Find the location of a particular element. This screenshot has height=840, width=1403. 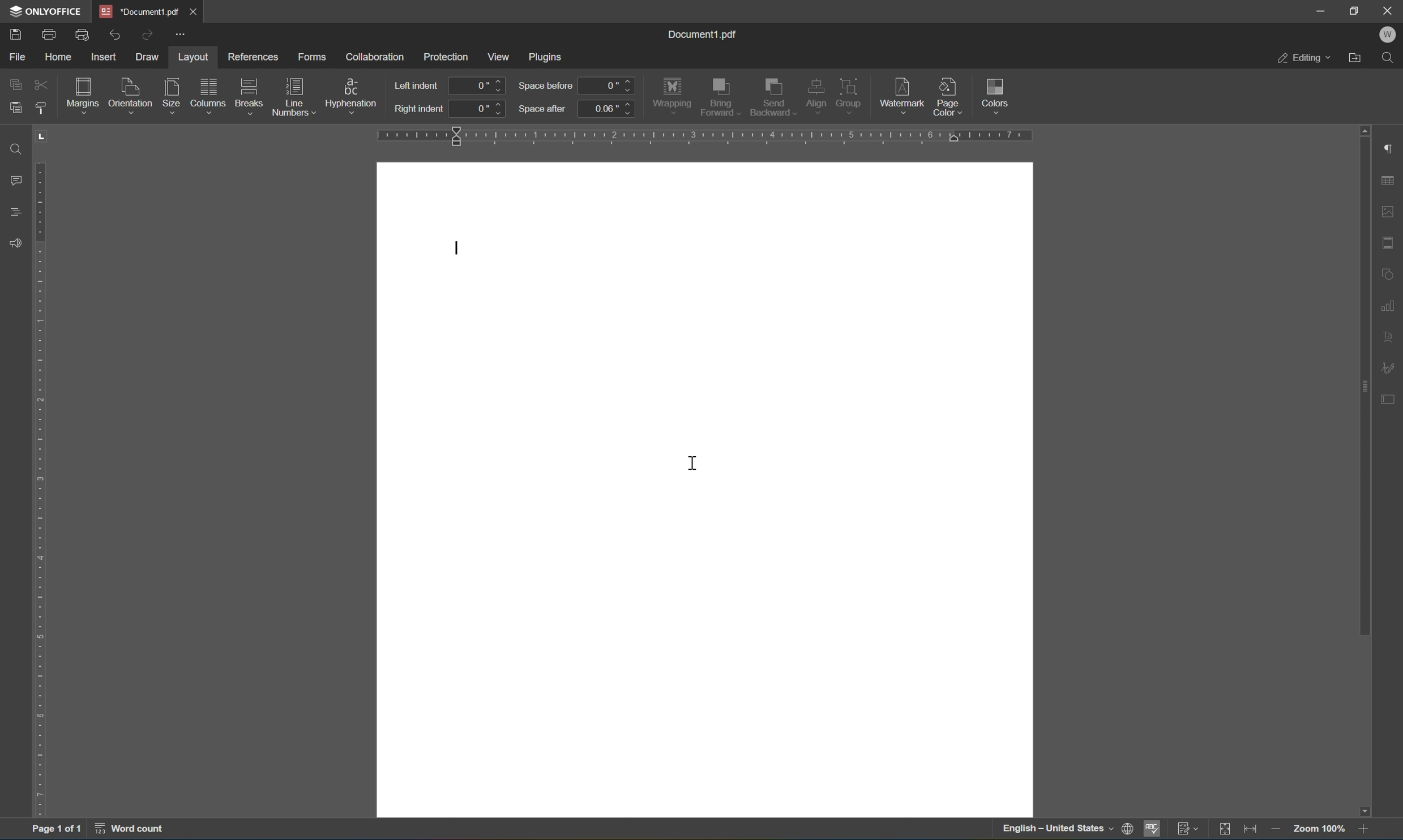

Find is located at coordinates (13, 148).